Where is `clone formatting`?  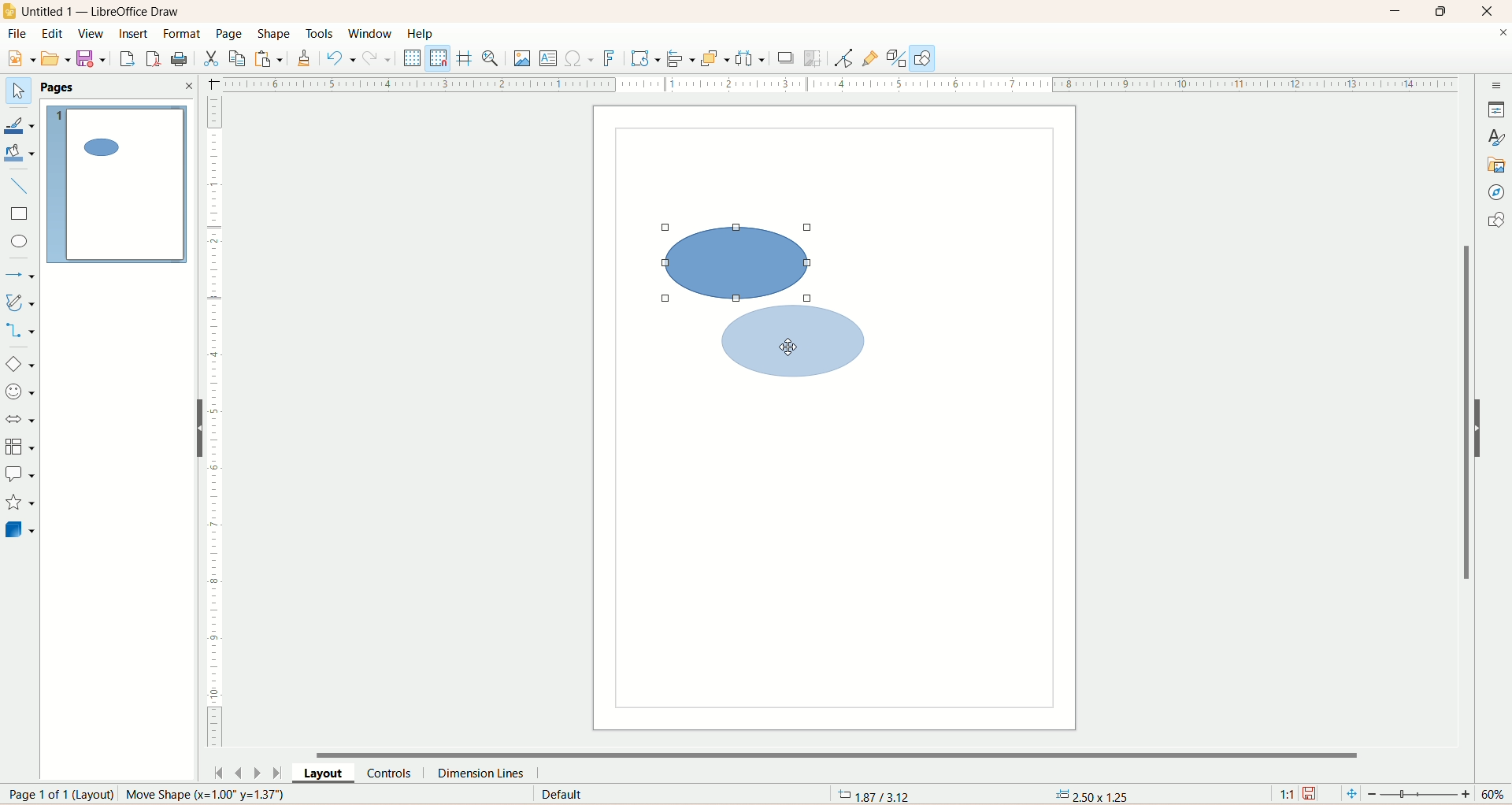
clone formatting is located at coordinates (308, 58).